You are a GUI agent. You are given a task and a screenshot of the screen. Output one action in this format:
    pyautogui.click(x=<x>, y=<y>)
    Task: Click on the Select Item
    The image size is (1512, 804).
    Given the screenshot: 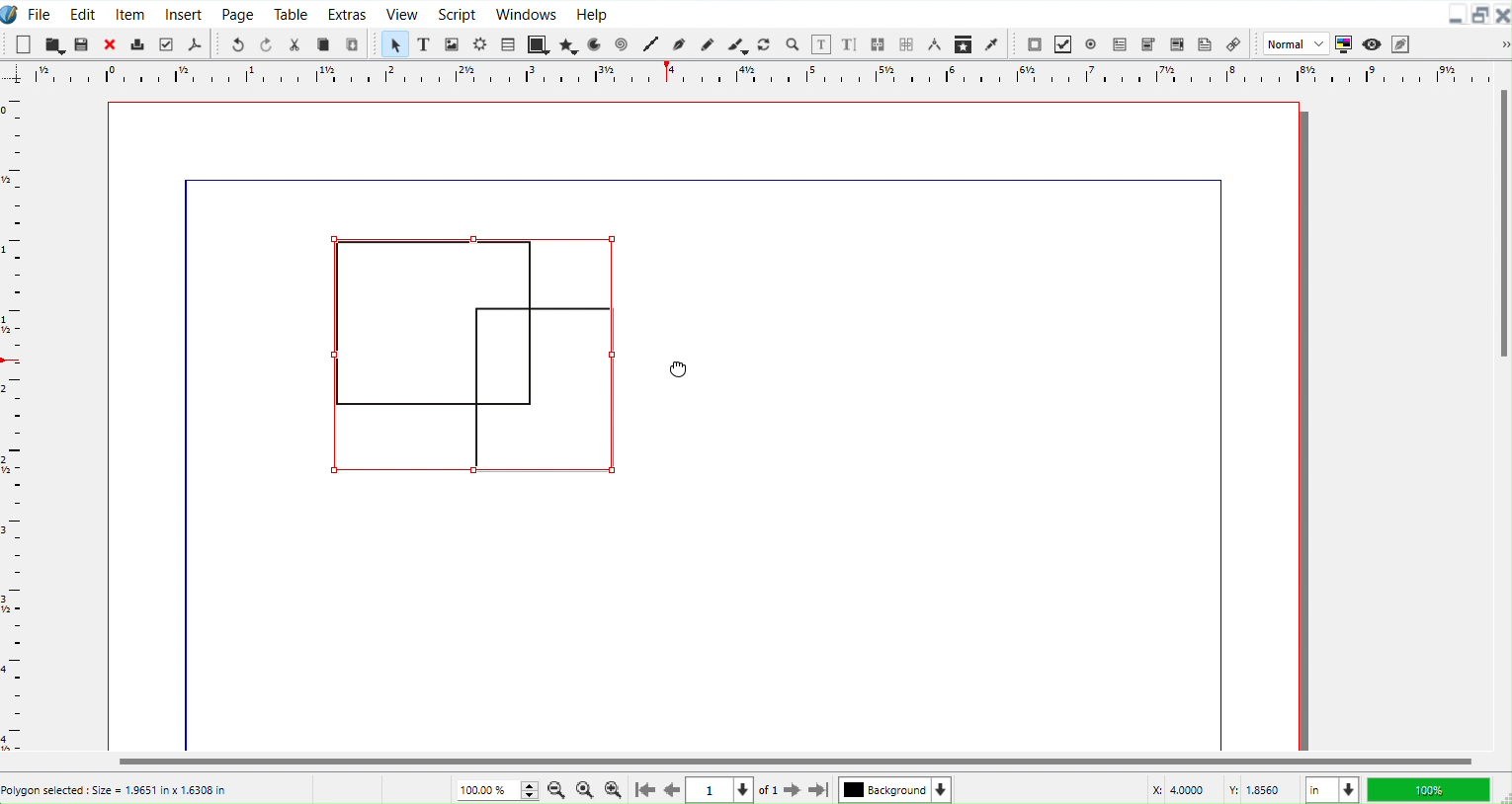 What is the action you would take?
    pyautogui.click(x=395, y=44)
    